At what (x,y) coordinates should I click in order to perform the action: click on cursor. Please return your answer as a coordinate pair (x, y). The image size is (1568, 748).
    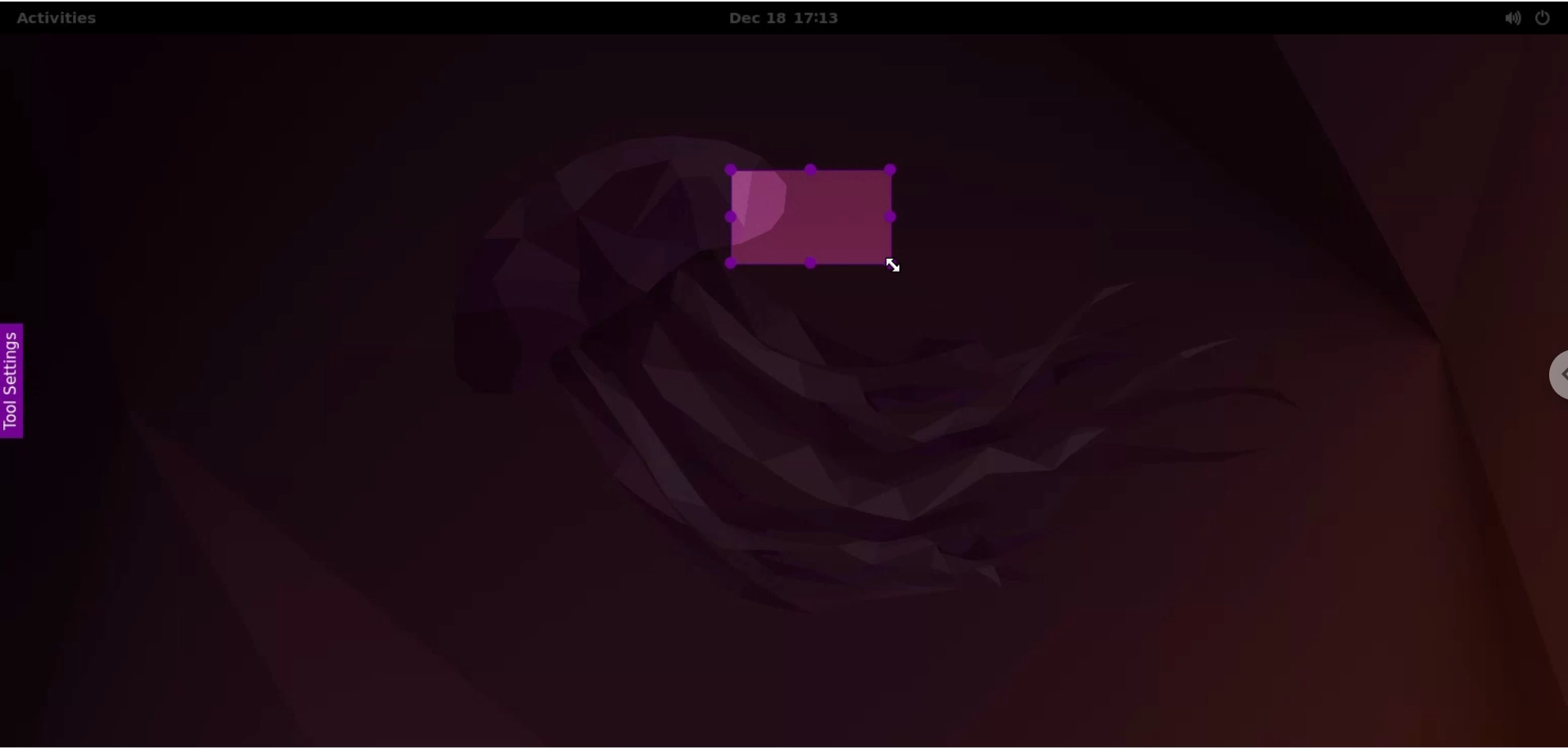
    Looking at the image, I should click on (897, 265).